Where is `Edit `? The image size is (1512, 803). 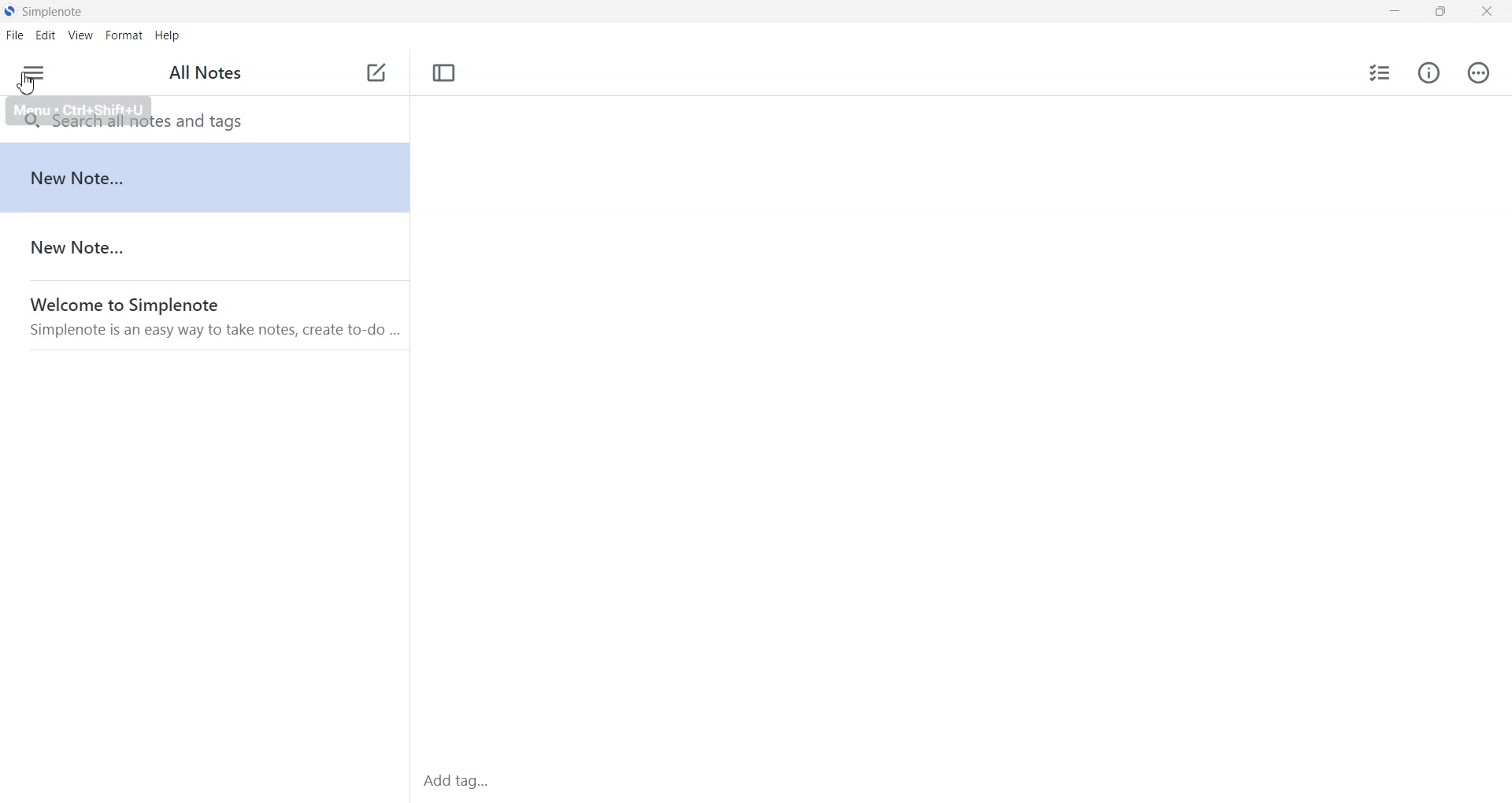
Edit  is located at coordinates (46, 34).